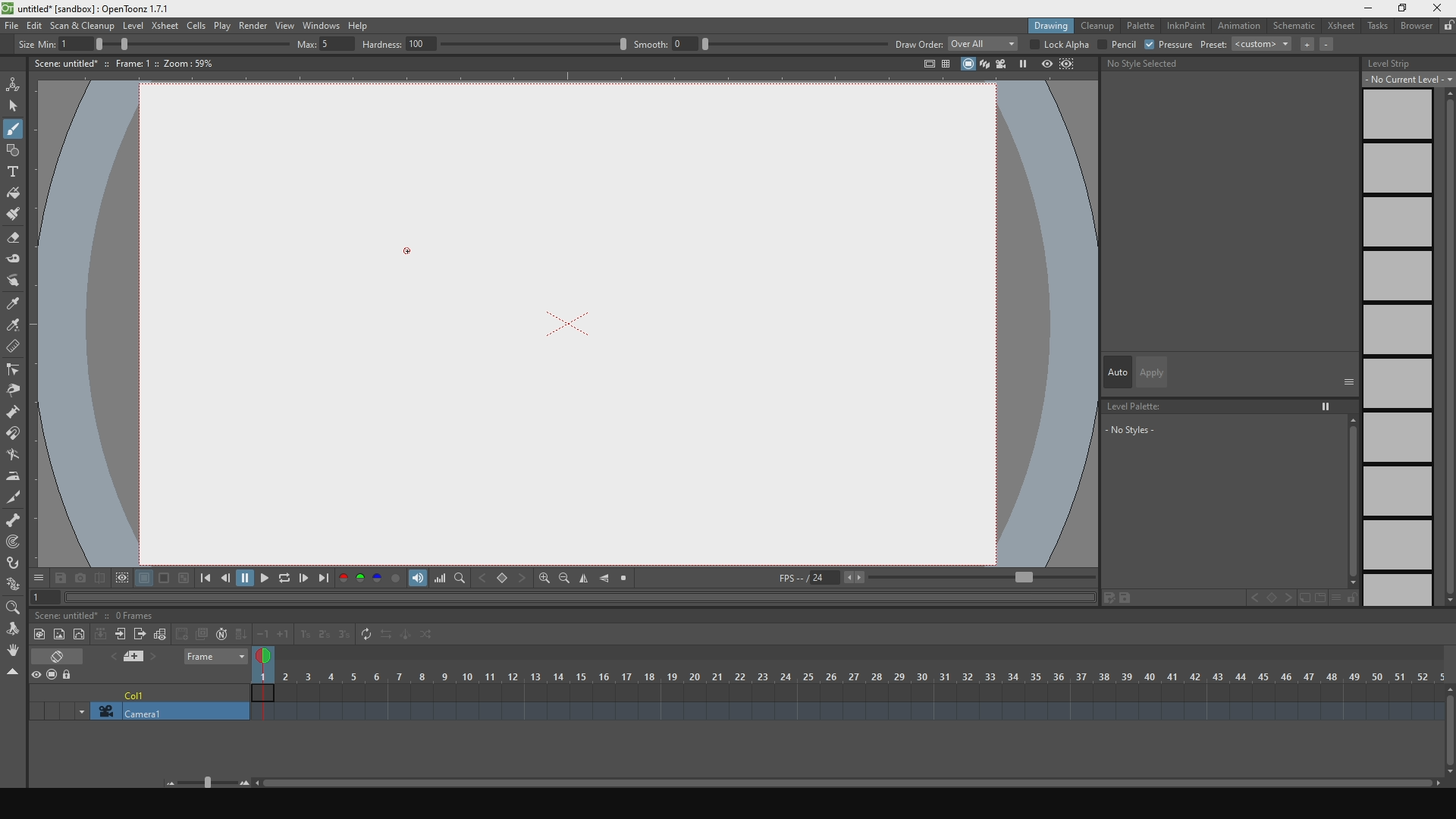 Image resolution: width=1456 pixels, height=819 pixels. What do you see at coordinates (965, 67) in the screenshot?
I see `stop` at bounding box center [965, 67].